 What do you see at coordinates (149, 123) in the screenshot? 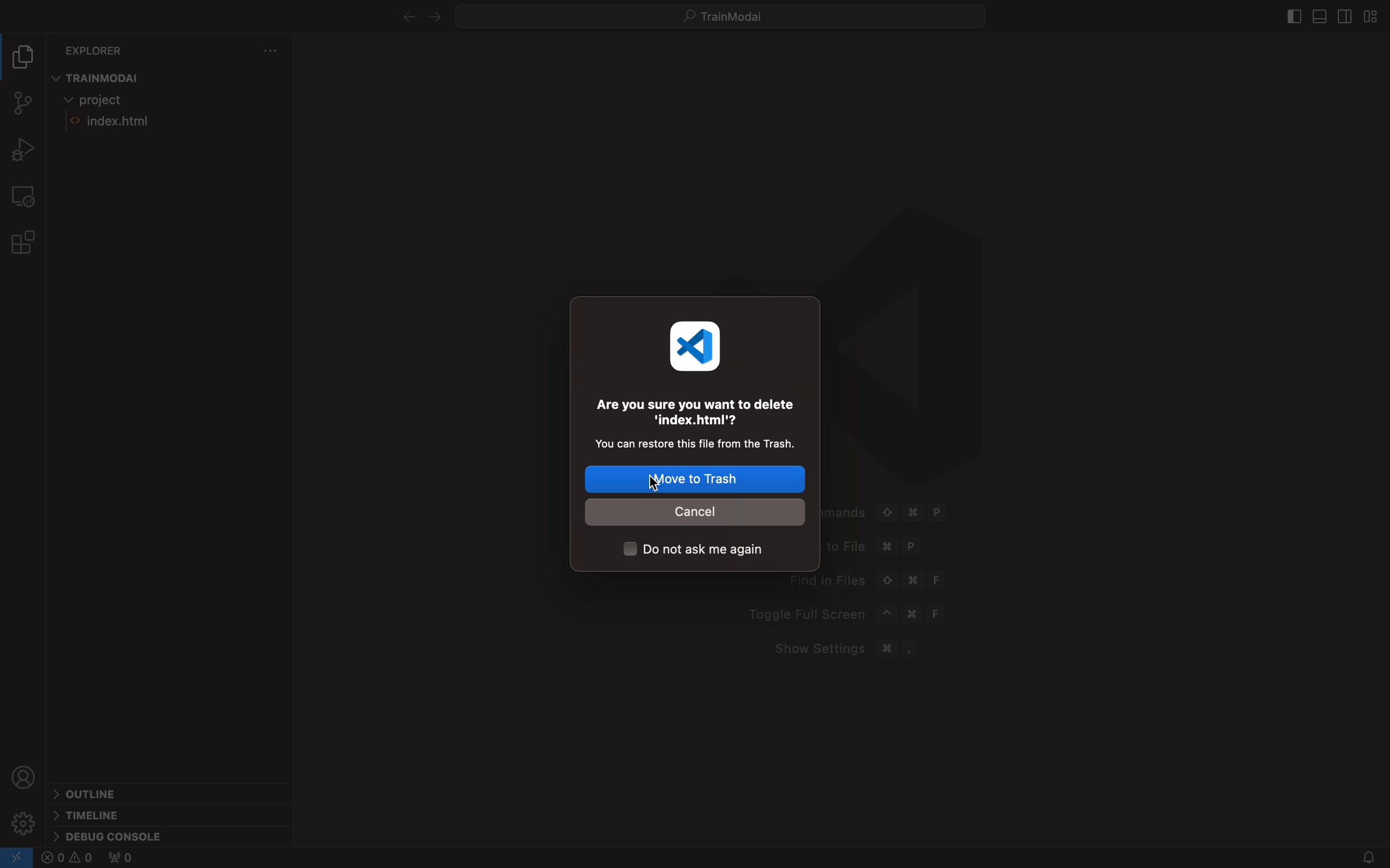
I see `file` at bounding box center [149, 123].